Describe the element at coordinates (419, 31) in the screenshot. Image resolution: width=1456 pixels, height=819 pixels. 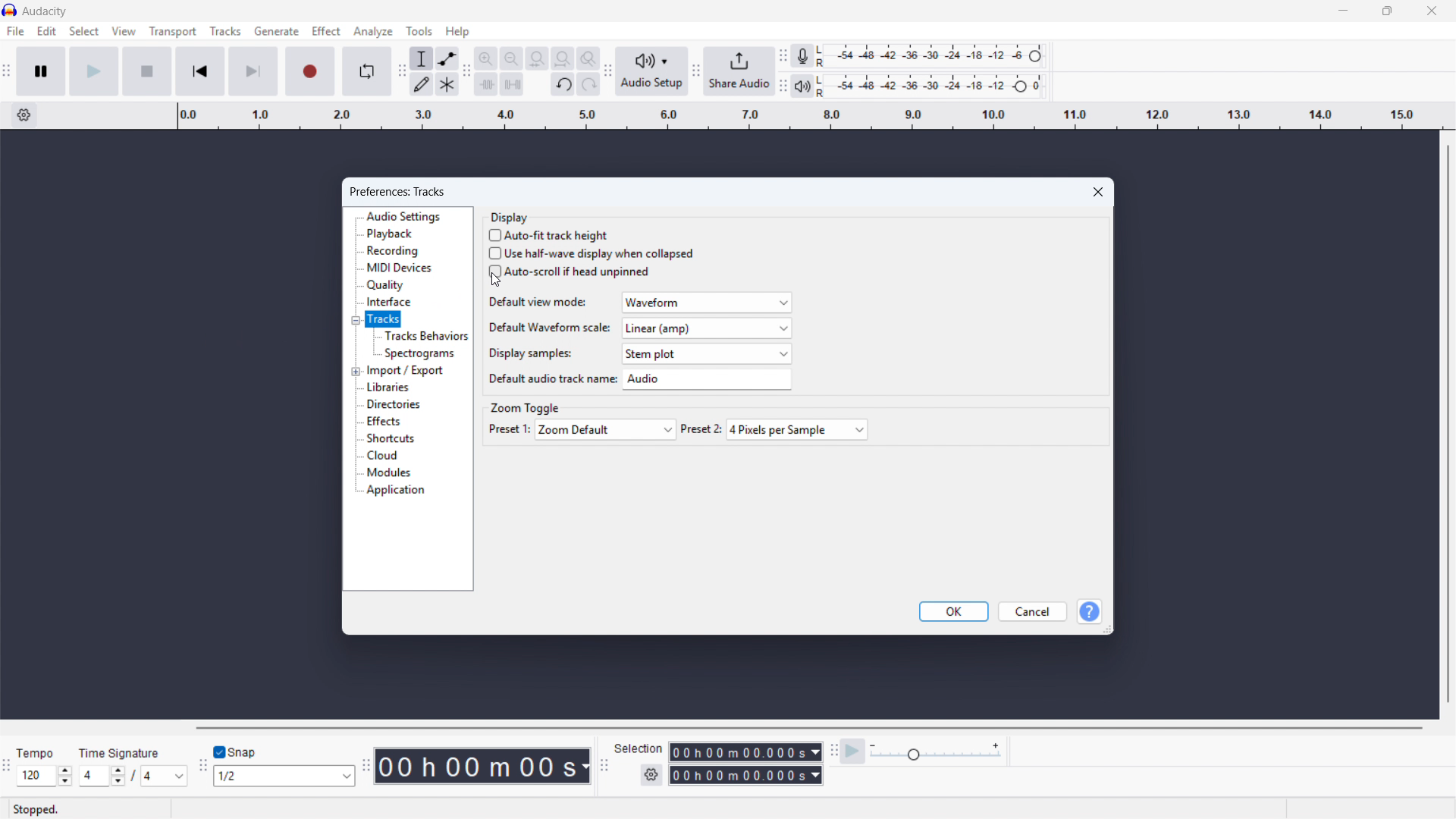
I see `tools` at that location.